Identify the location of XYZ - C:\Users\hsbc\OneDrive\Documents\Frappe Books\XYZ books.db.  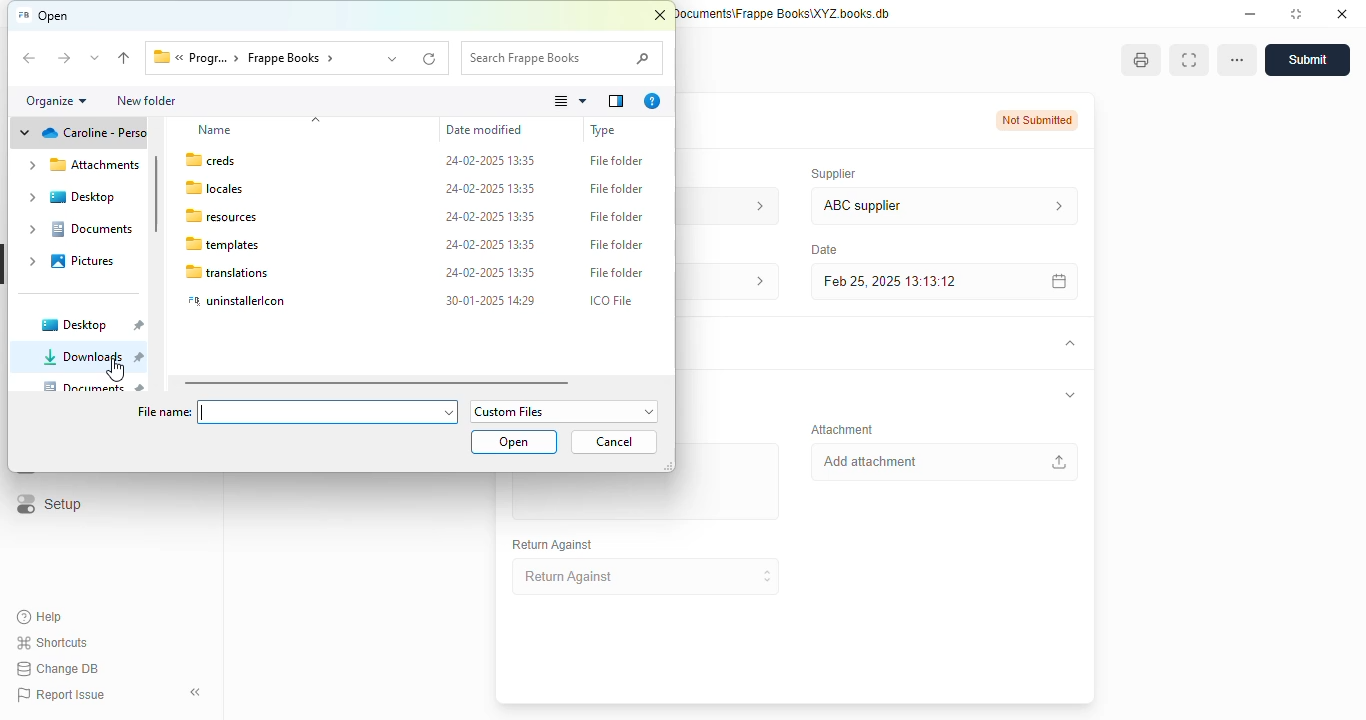
(784, 13).